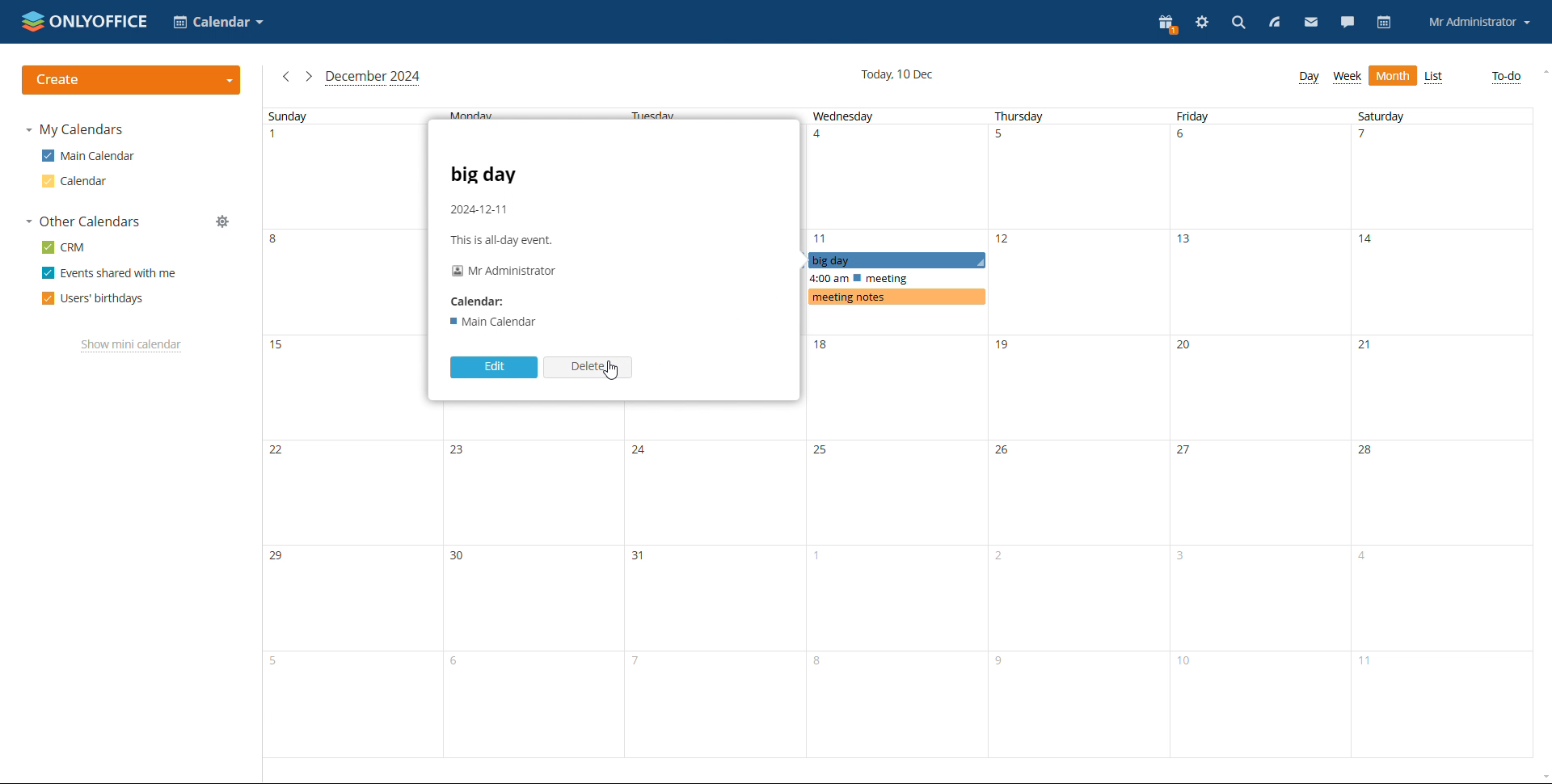 This screenshot has height=784, width=1552. I want to click on other calendars, so click(83, 221).